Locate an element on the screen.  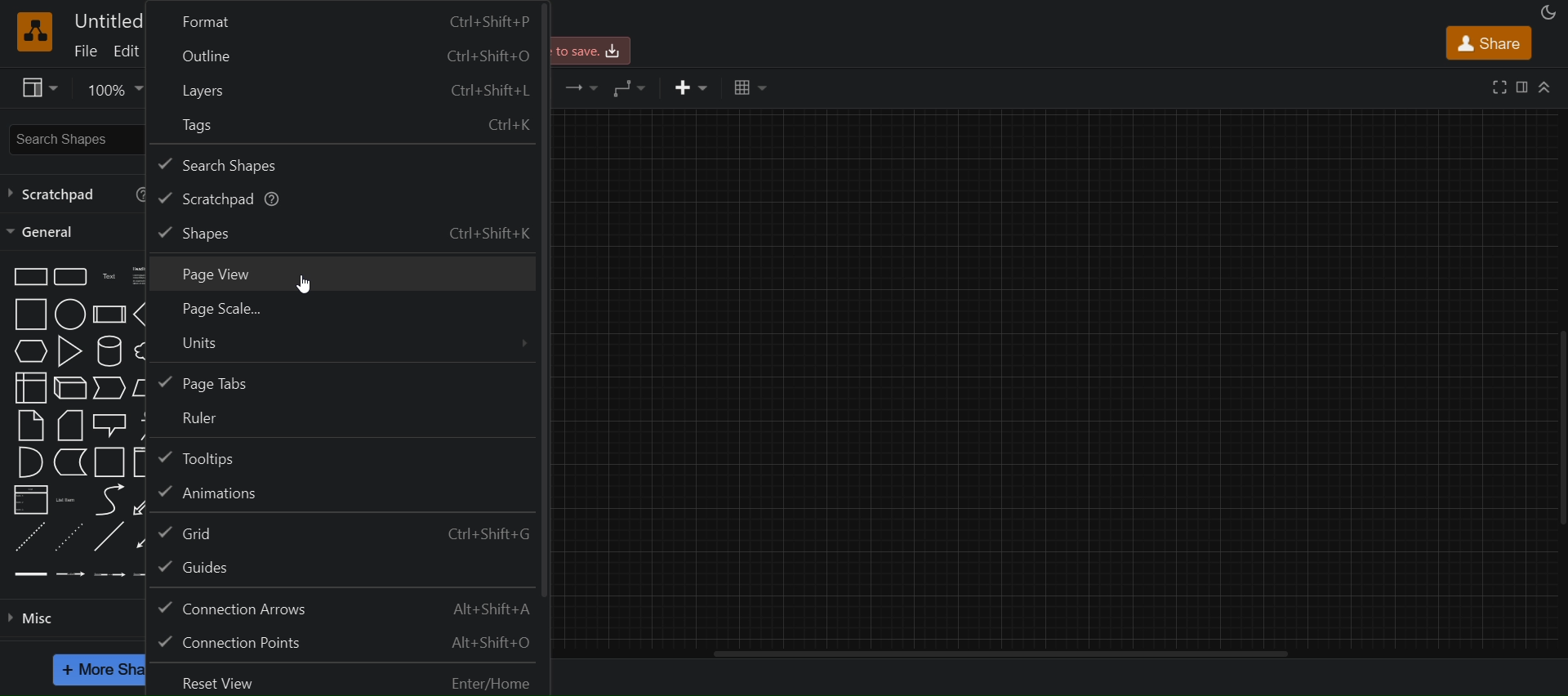
connection is located at coordinates (580, 87).